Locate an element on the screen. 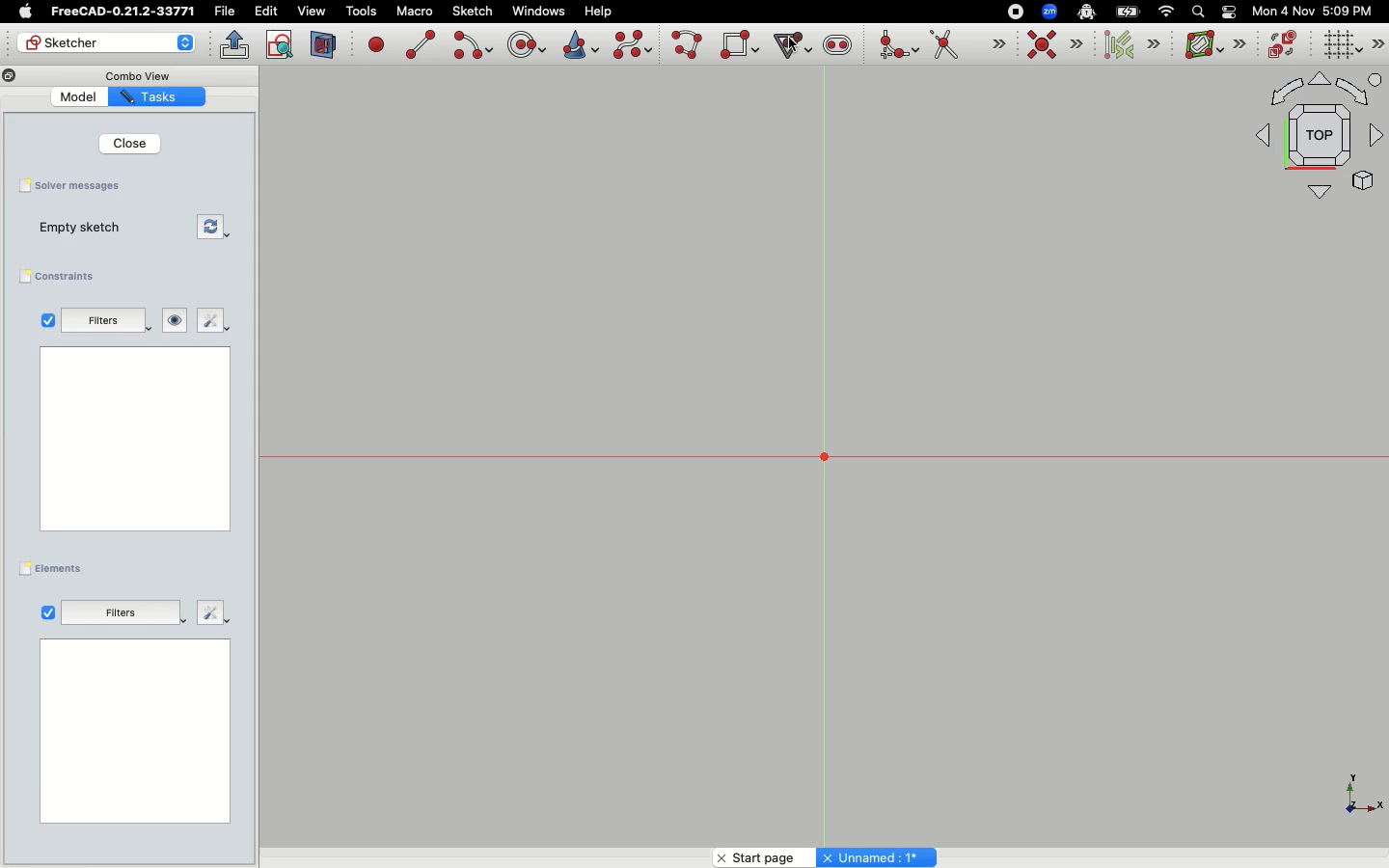  Tasks is located at coordinates (158, 97).